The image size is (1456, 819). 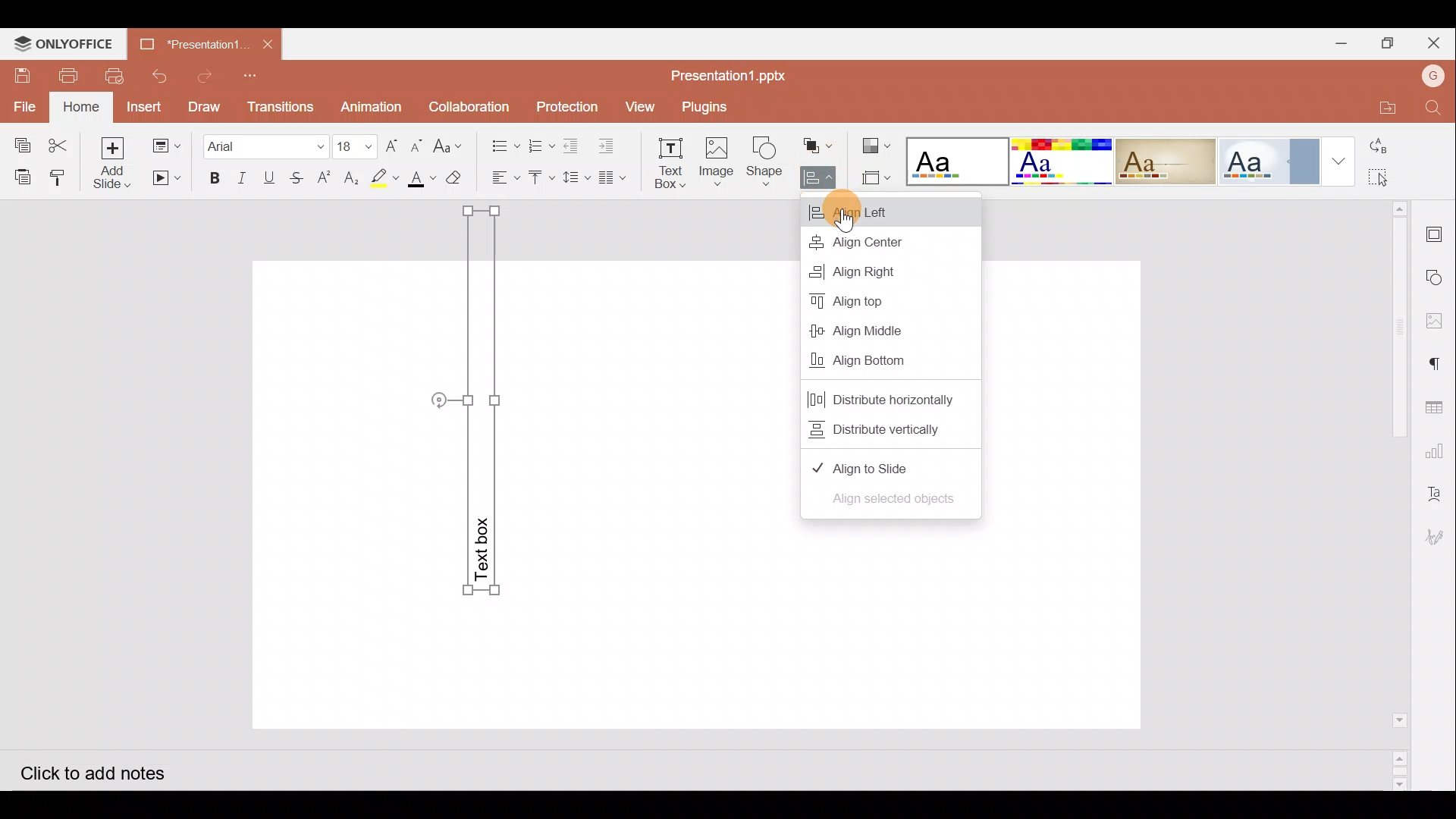 What do you see at coordinates (504, 178) in the screenshot?
I see `Horizontal align` at bounding box center [504, 178].